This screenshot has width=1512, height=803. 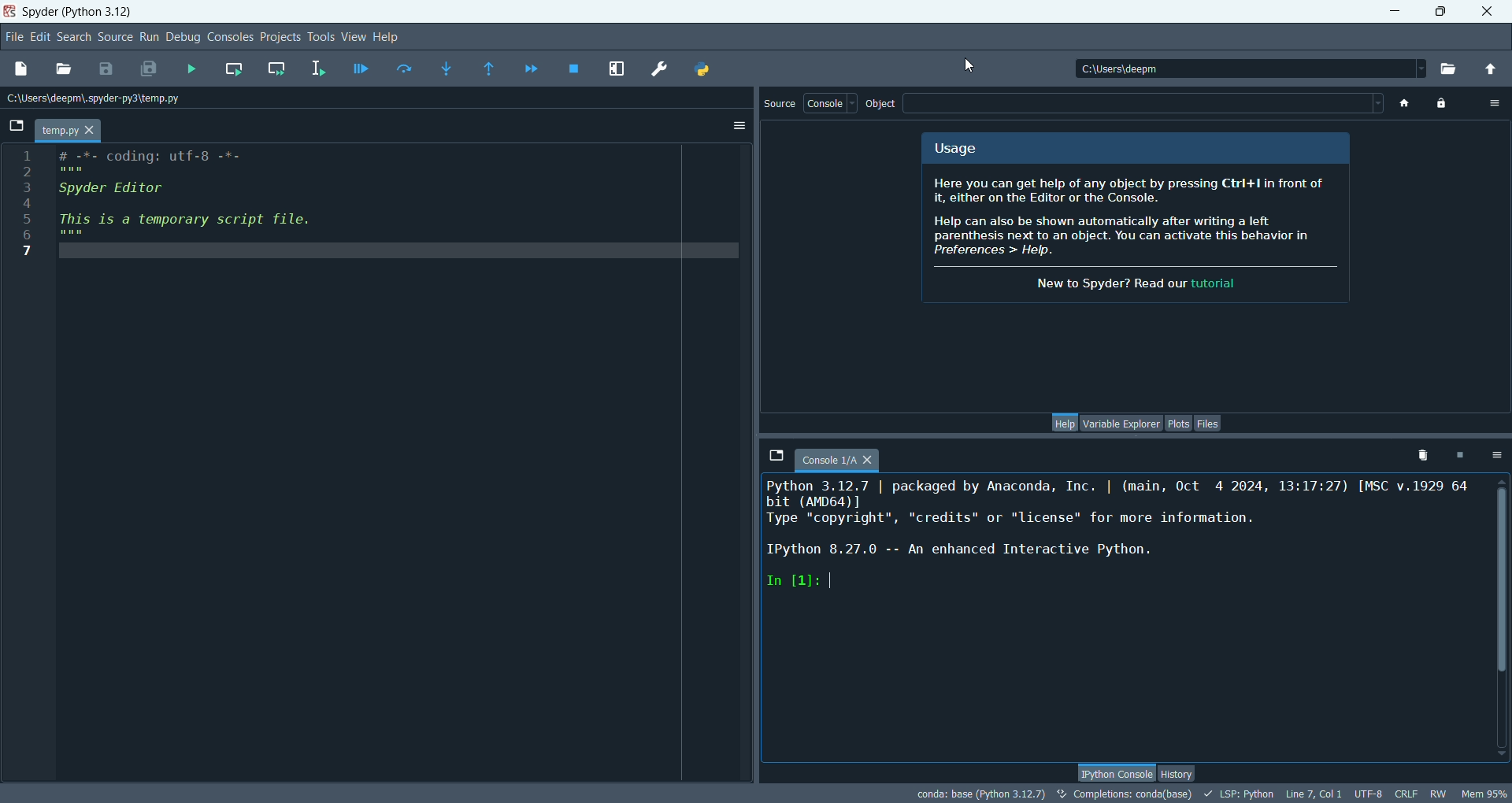 I want to click on run, so click(x=149, y=37).